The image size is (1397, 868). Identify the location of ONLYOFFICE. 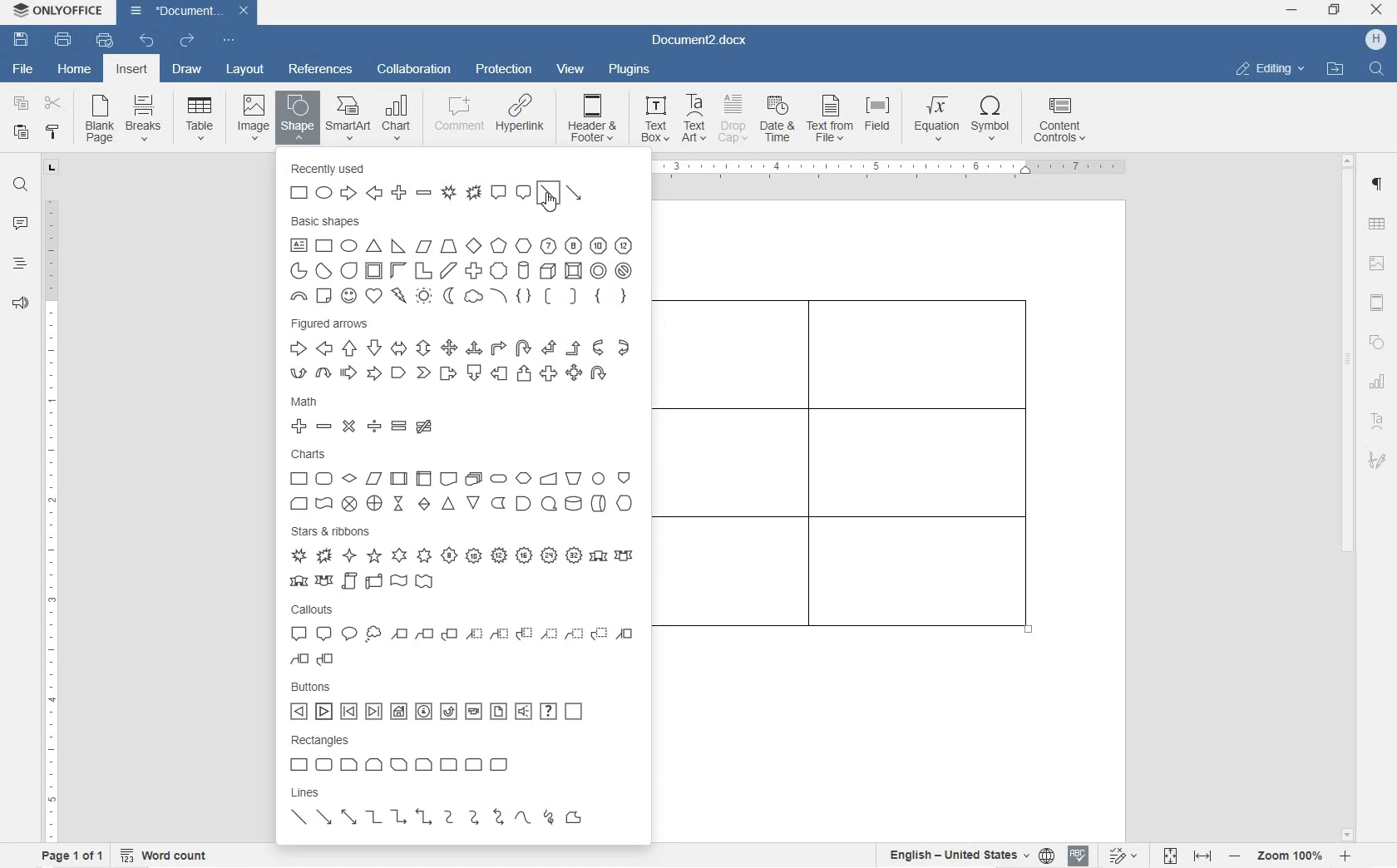
(61, 11).